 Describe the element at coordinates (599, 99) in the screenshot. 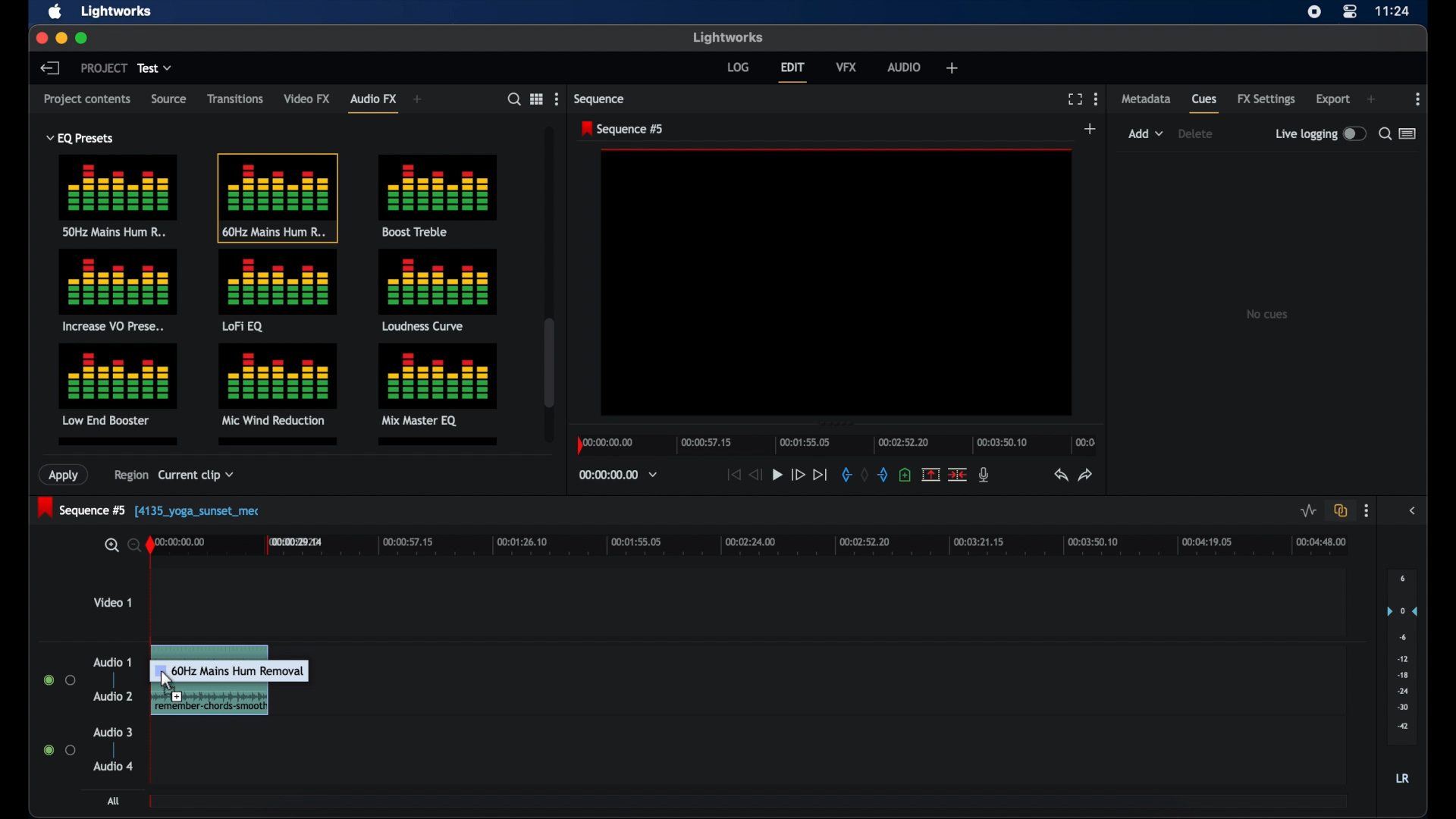

I see `sequence` at that location.